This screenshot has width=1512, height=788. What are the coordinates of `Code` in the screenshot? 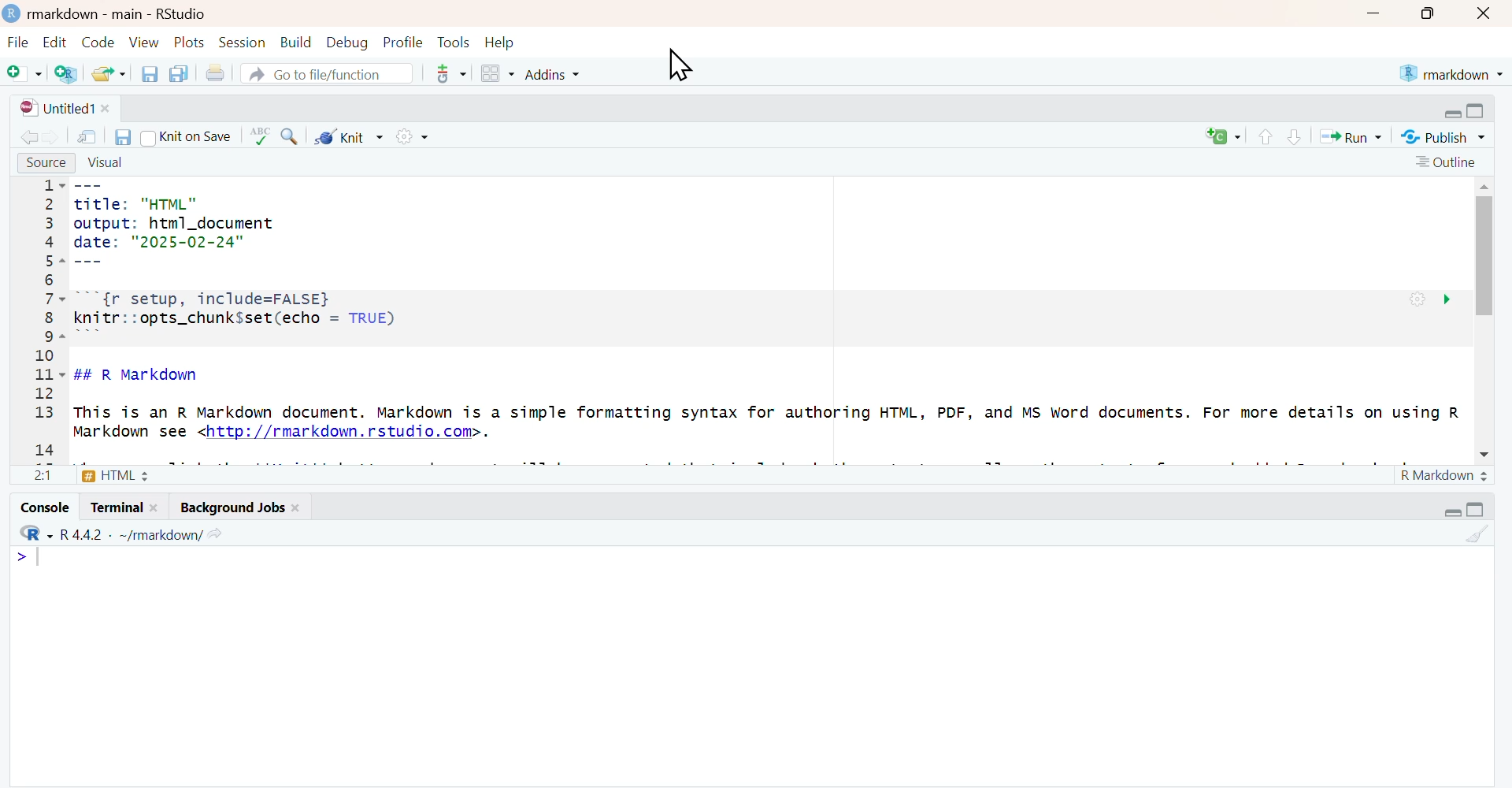 It's located at (98, 43).